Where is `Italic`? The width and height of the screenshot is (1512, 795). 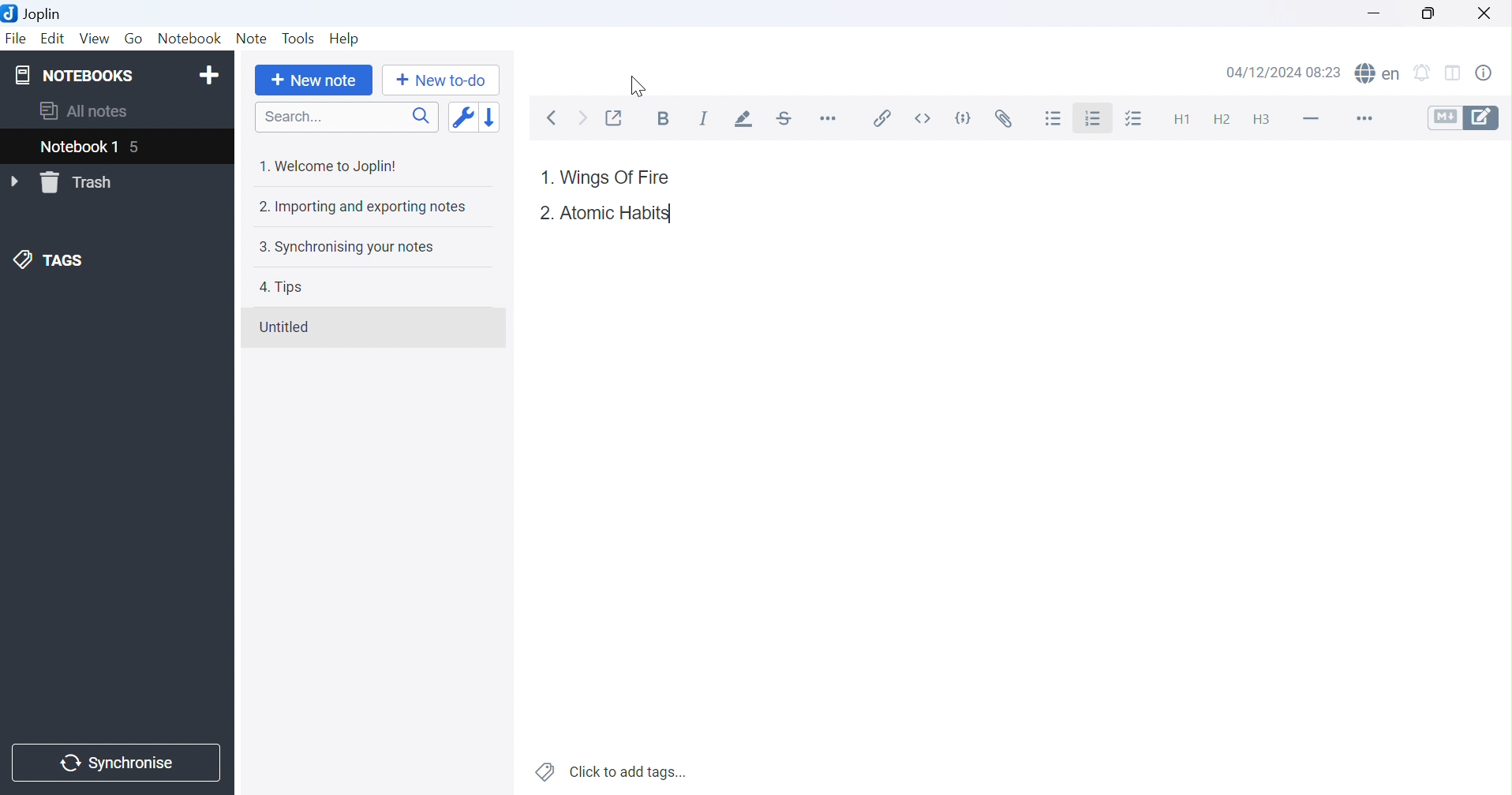
Italic is located at coordinates (705, 118).